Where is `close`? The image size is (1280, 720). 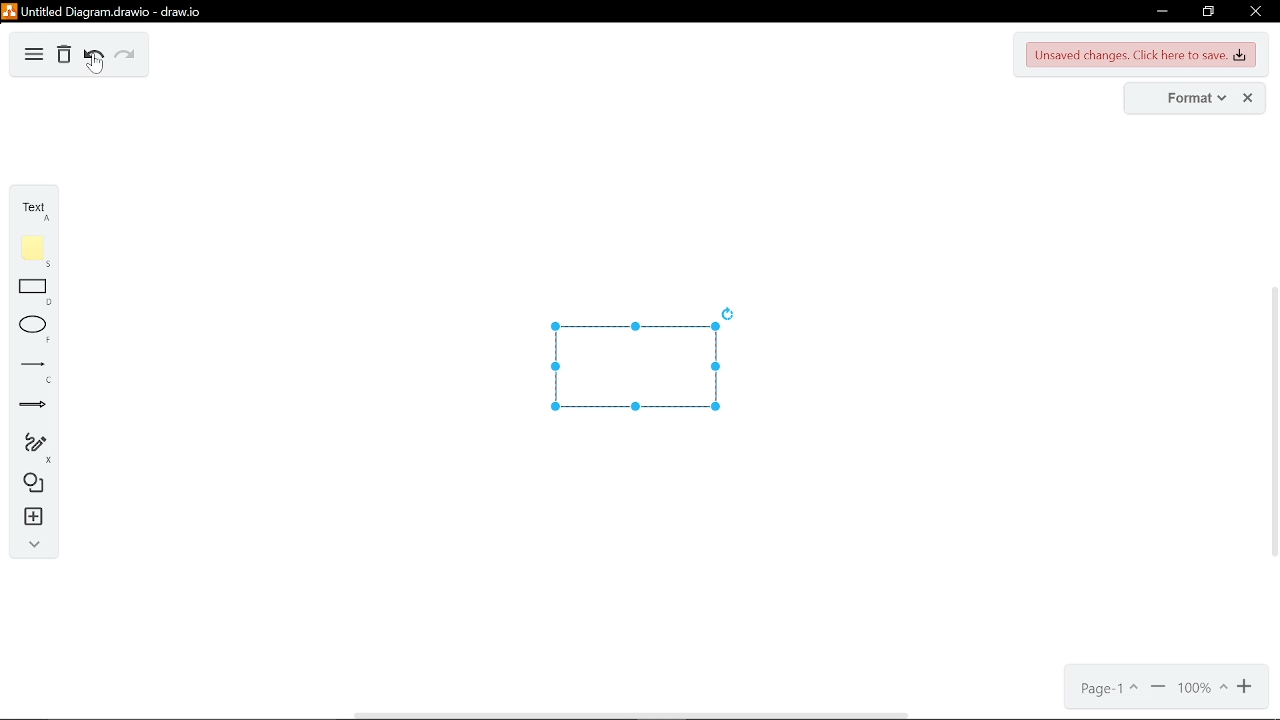 close is located at coordinates (1248, 98).